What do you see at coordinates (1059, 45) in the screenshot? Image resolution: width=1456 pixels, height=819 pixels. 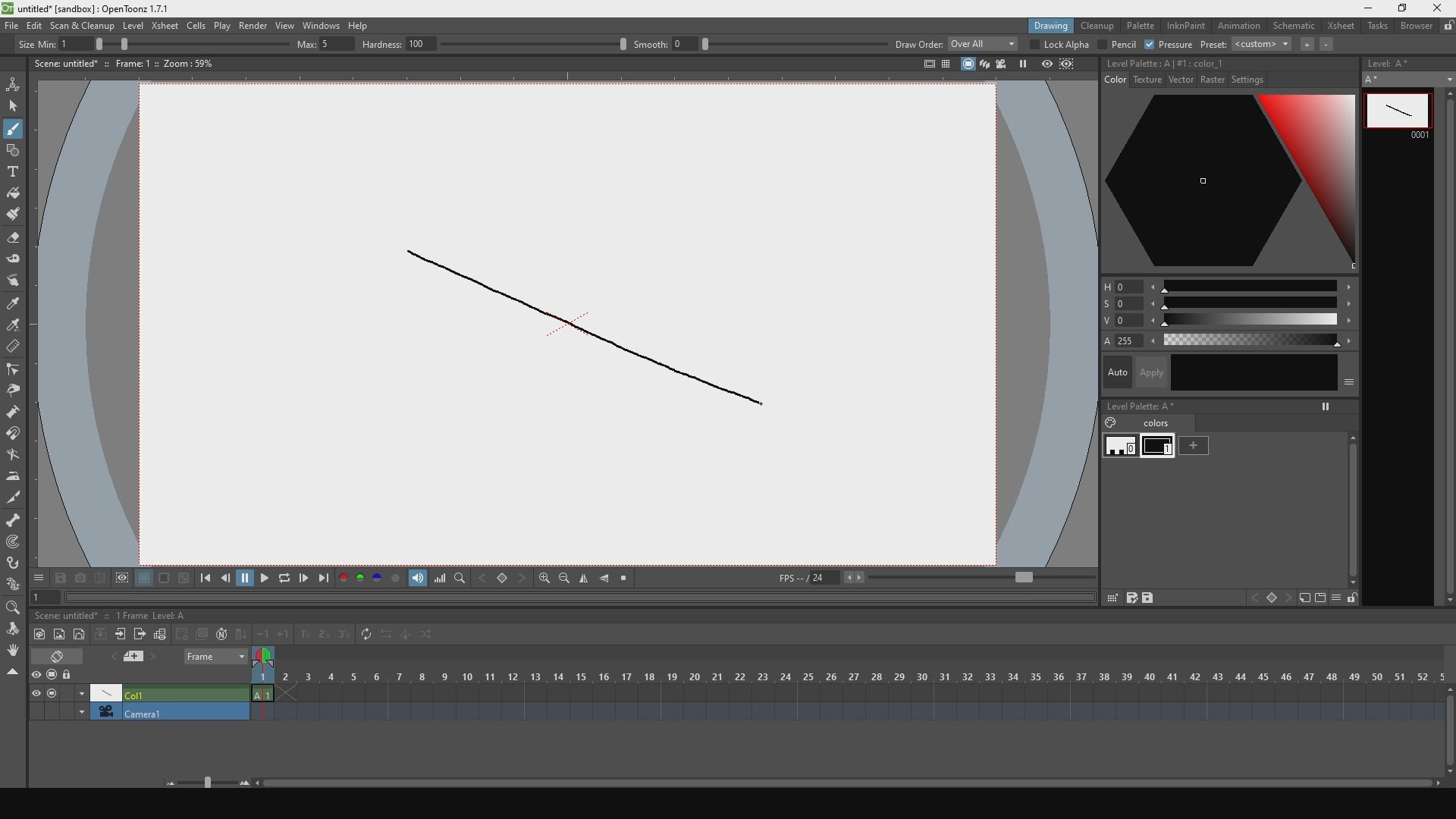 I see `lock alpha` at bounding box center [1059, 45].